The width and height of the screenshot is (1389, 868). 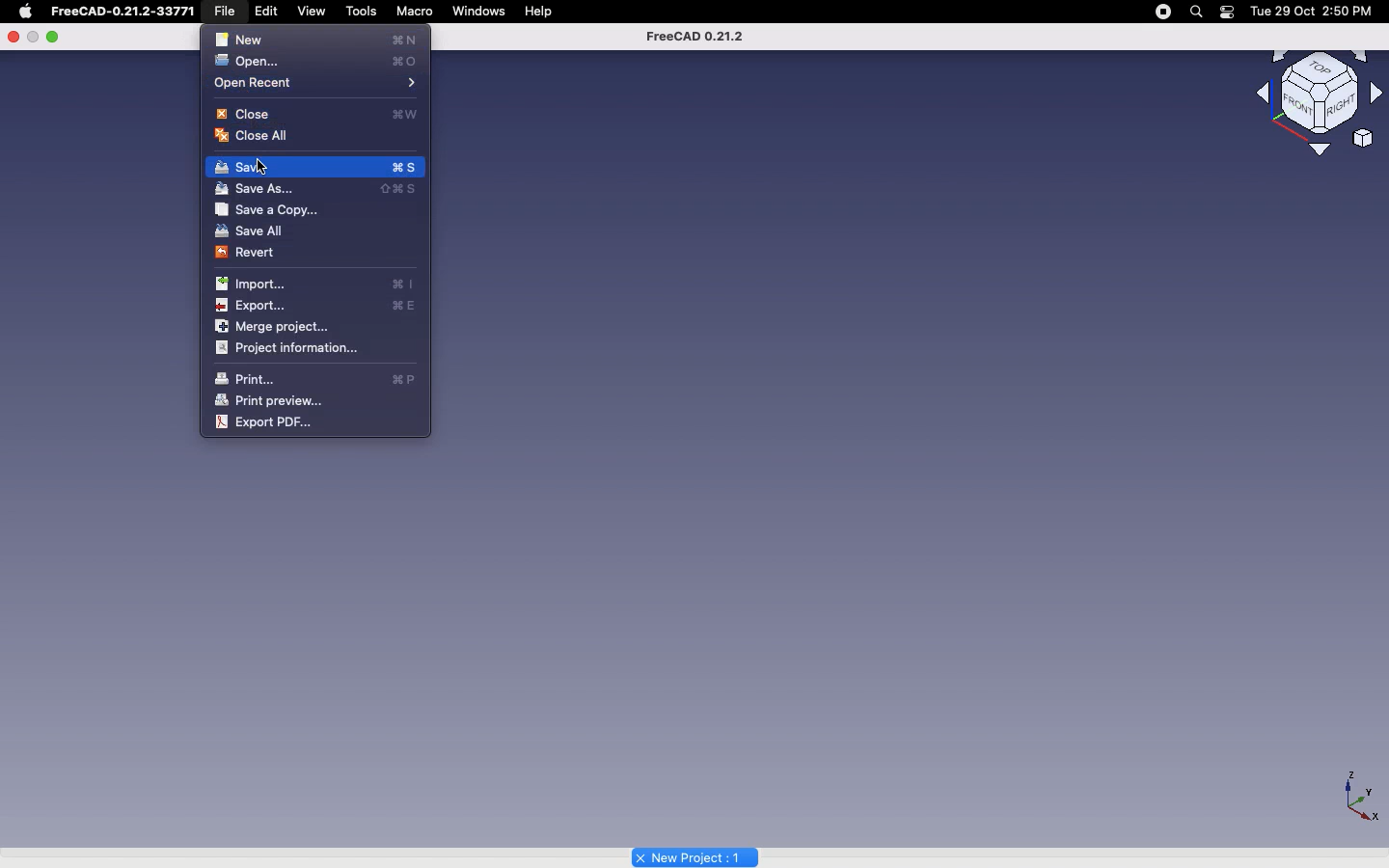 I want to click on Merge project, so click(x=278, y=327).